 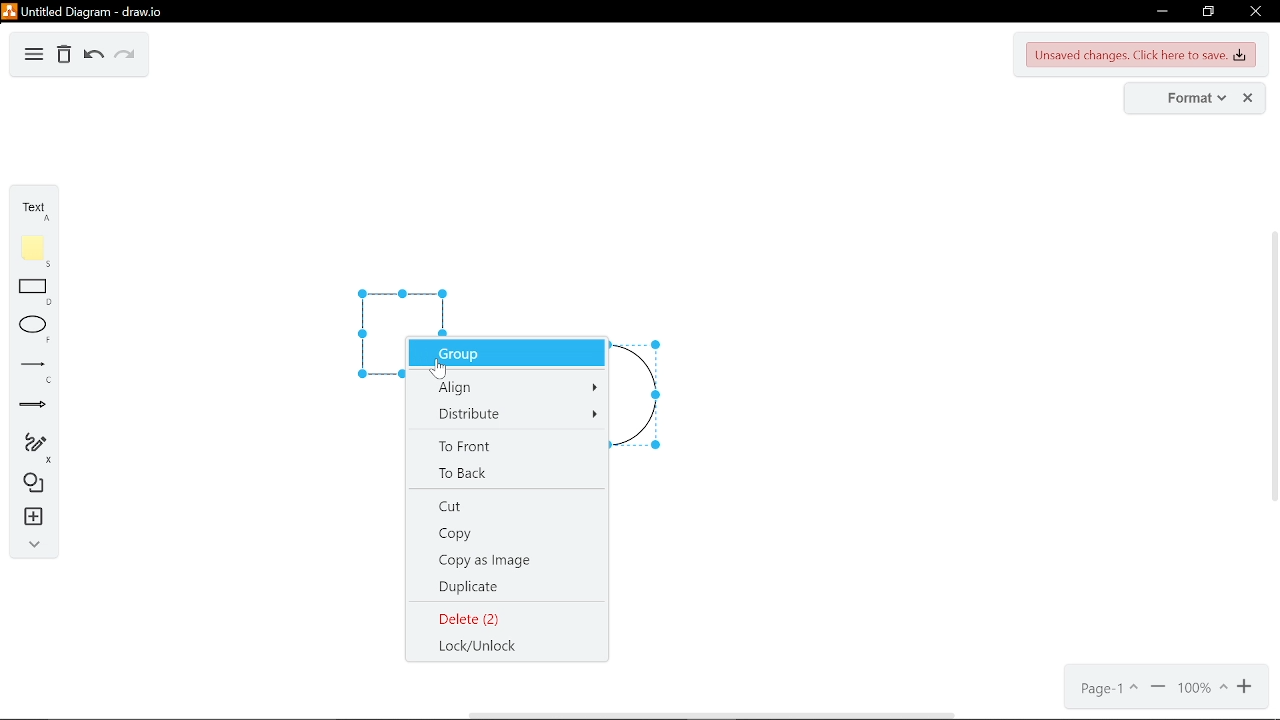 What do you see at coordinates (1104, 691) in the screenshot?
I see `current page` at bounding box center [1104, 691].